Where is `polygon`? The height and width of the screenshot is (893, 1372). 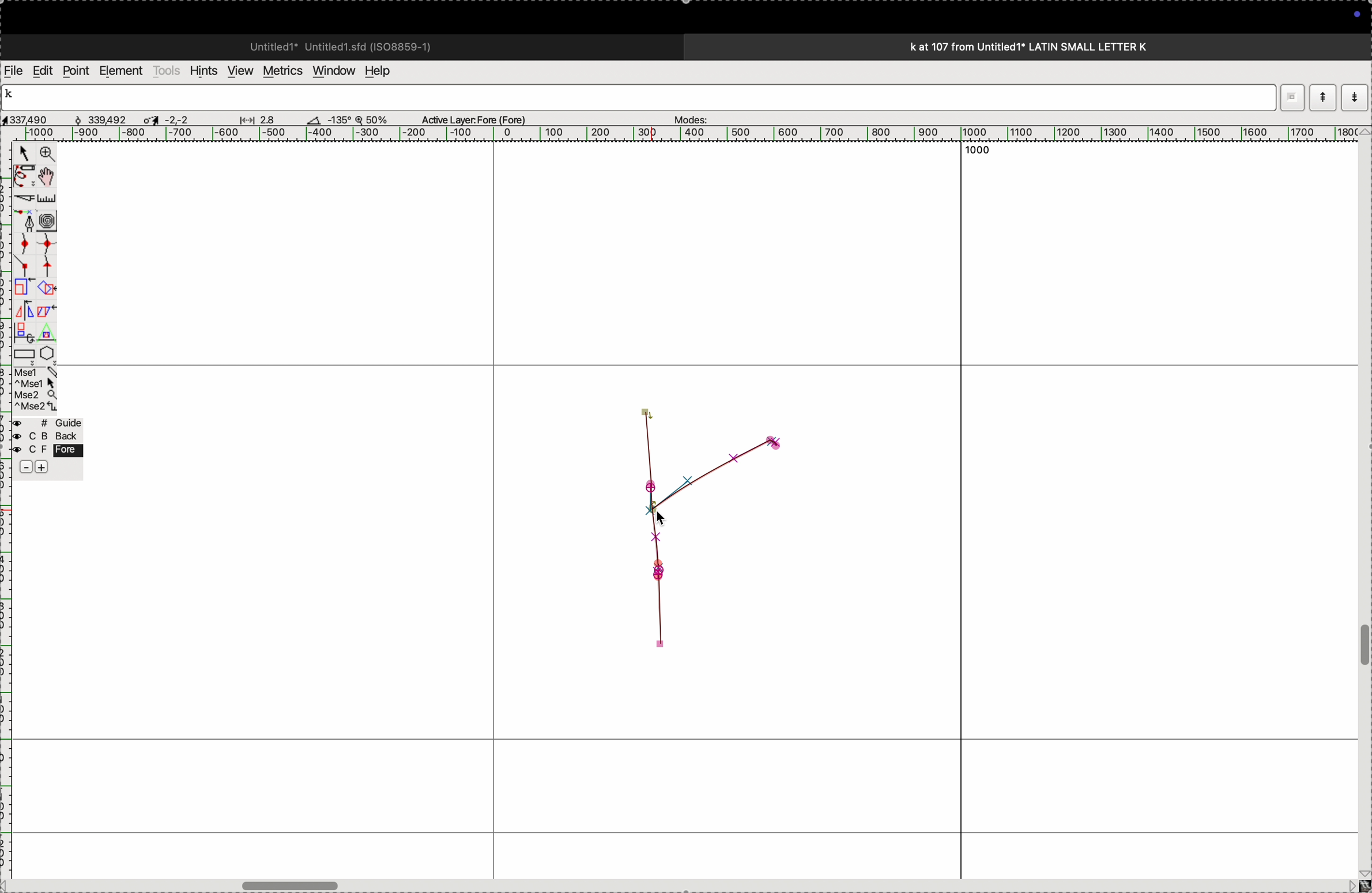 polygon is located at coordinates (47, 353).